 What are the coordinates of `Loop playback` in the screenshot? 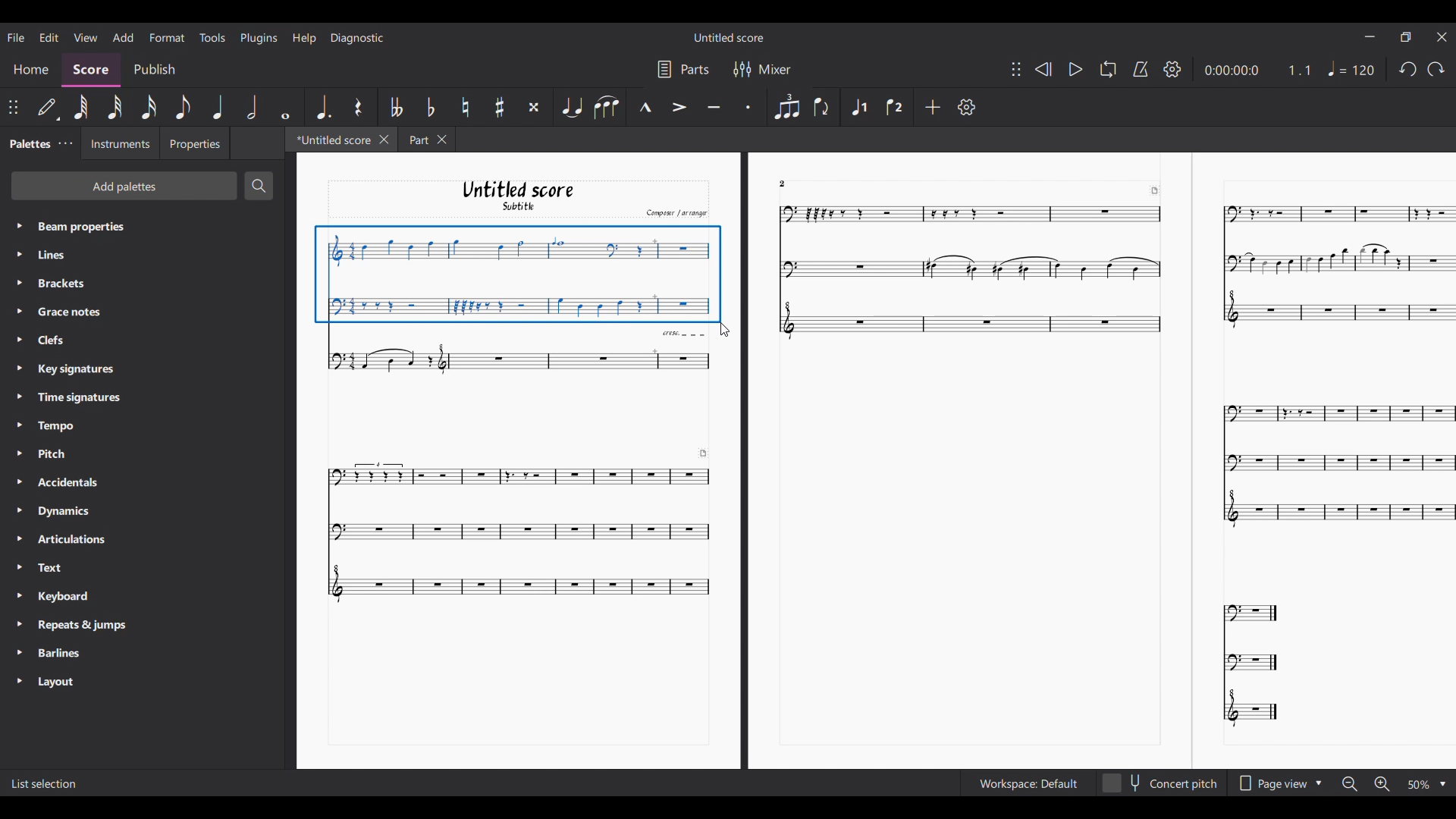 It's located at (1107, 70).